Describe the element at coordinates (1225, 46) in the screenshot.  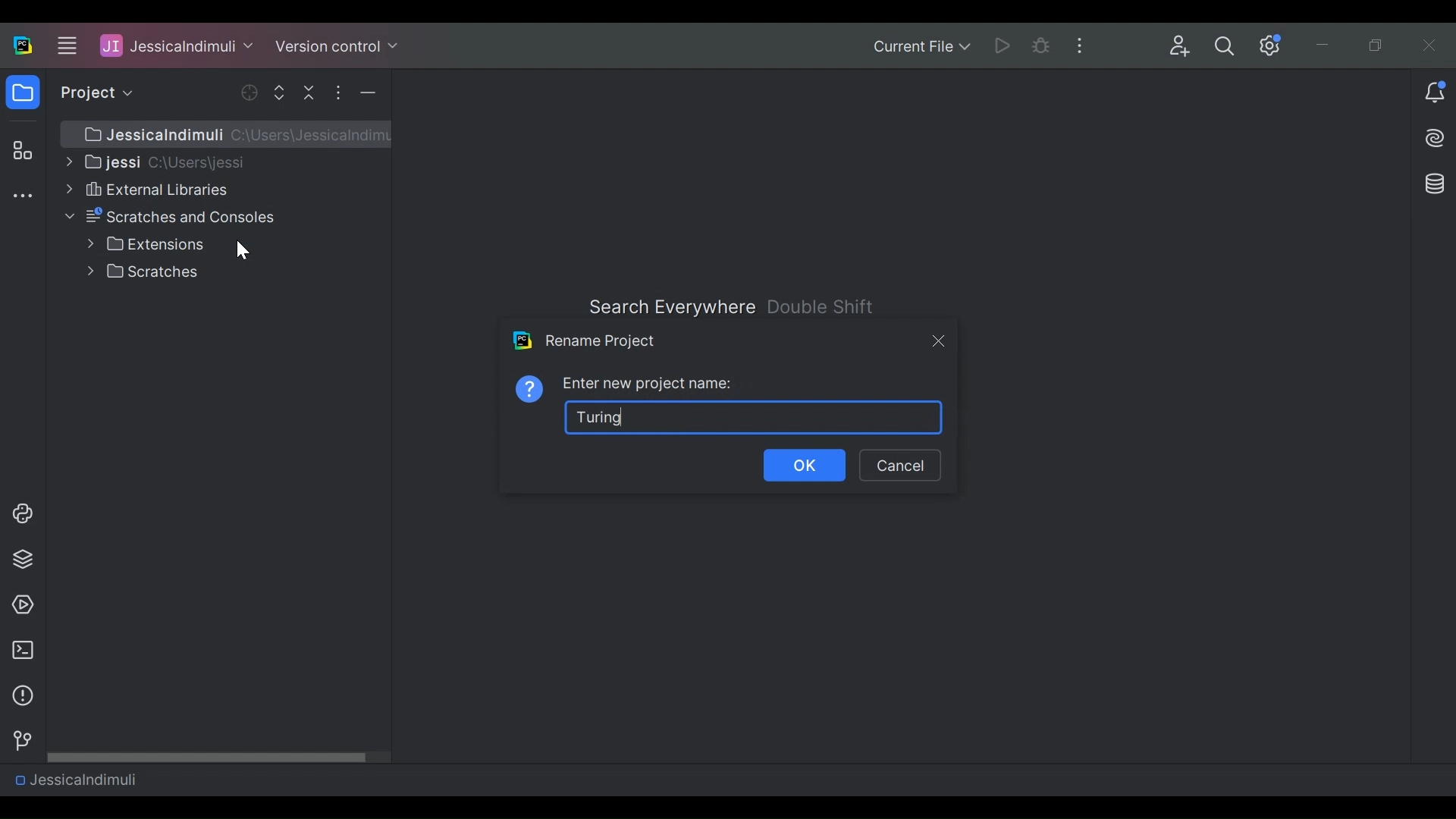
I see `Search` at that location.